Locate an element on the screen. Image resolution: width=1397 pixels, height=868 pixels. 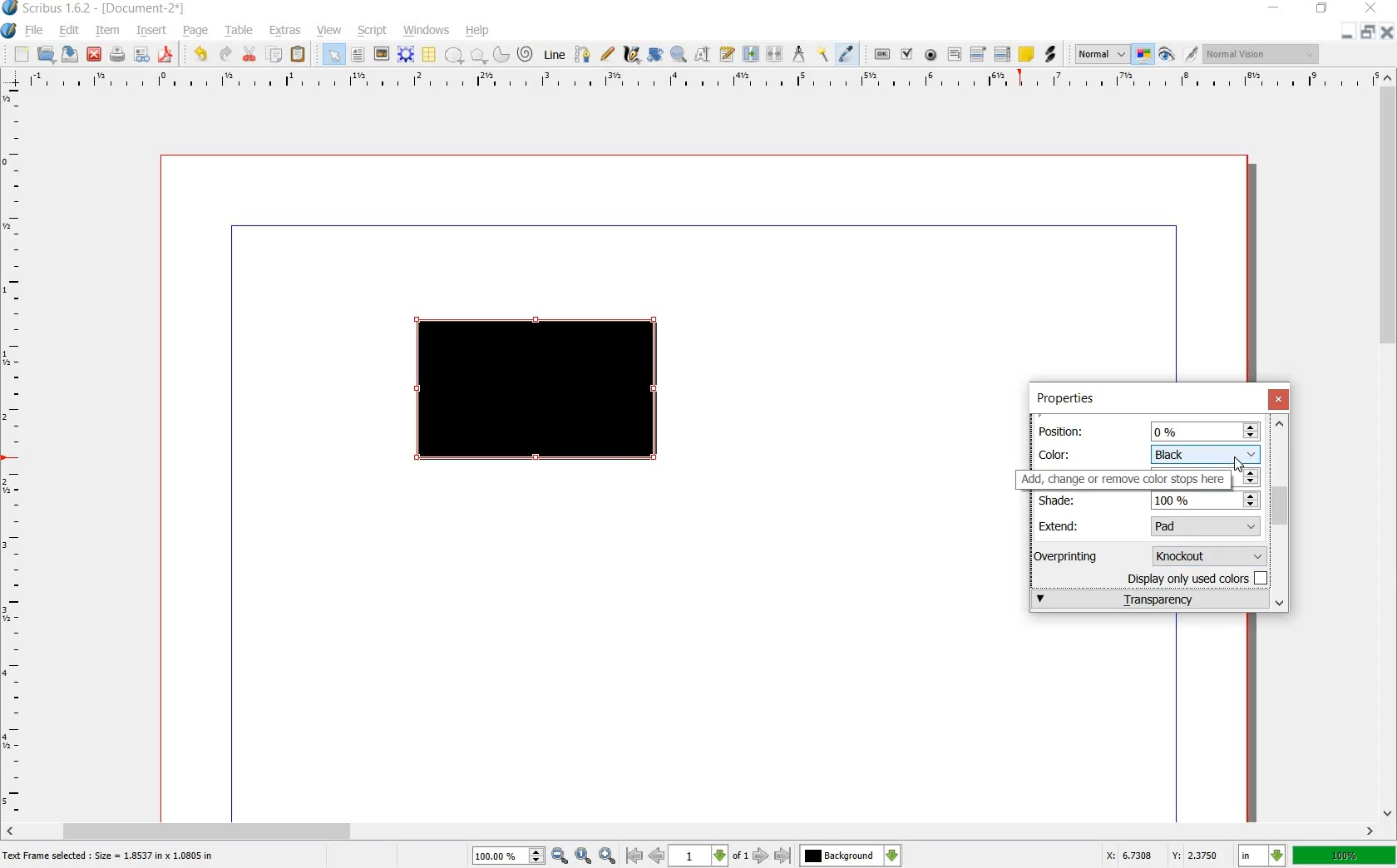
view is located at coordinates (330, 31).